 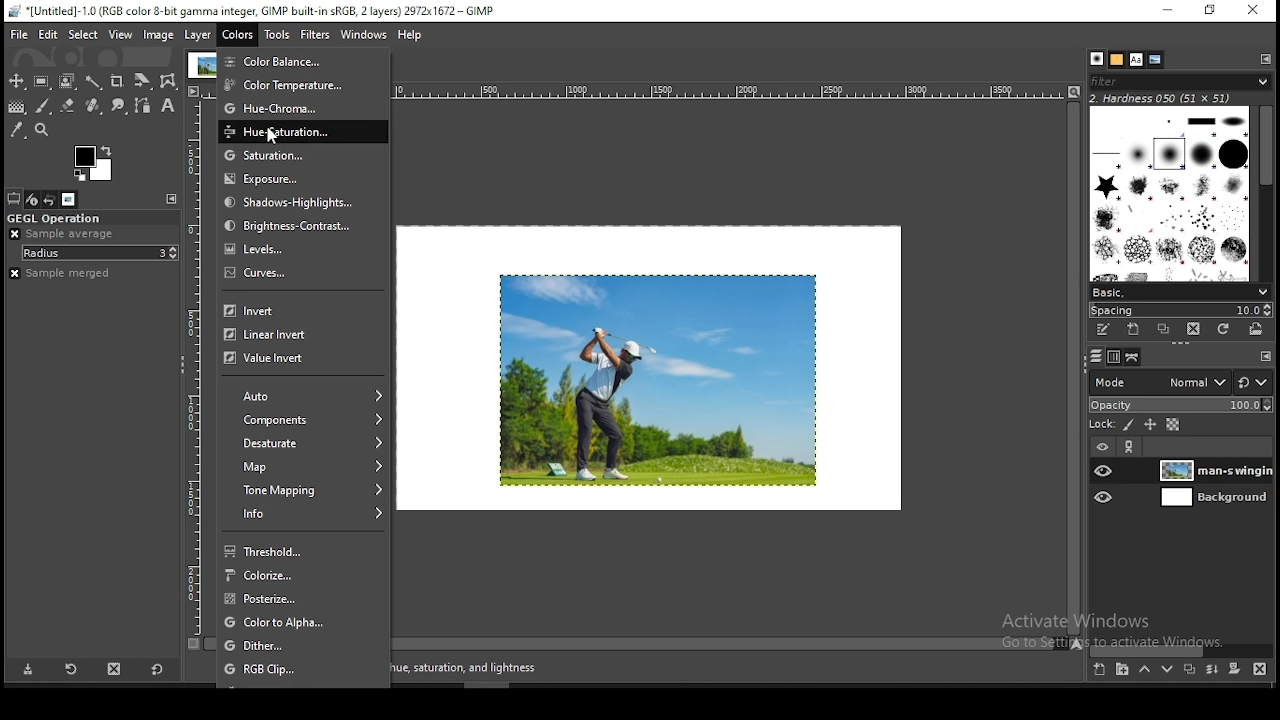 I want to click on brushes filter, so click(x=1179, y=82).